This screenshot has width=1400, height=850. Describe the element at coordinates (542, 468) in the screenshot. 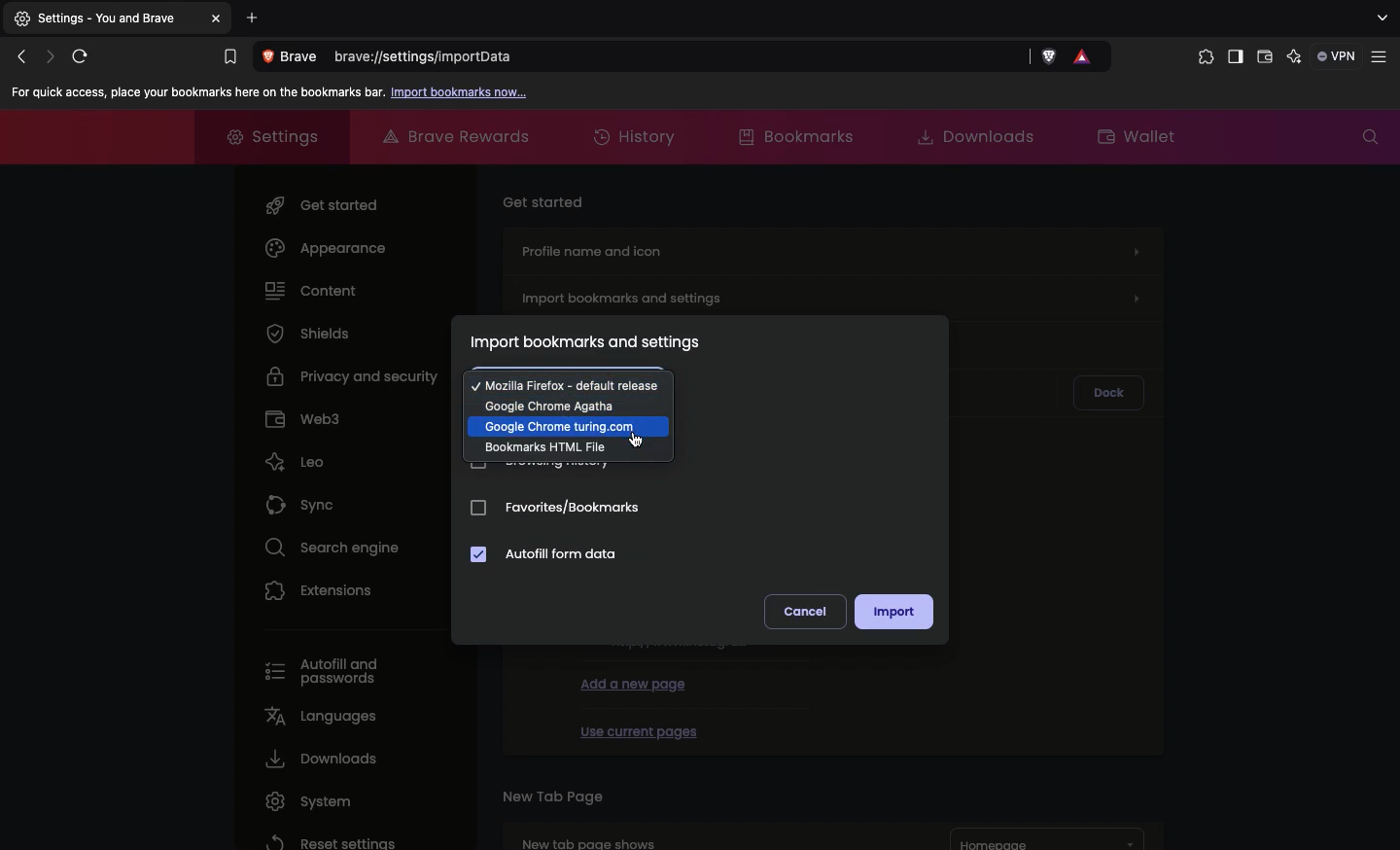

I see `Browsing history` at that location.